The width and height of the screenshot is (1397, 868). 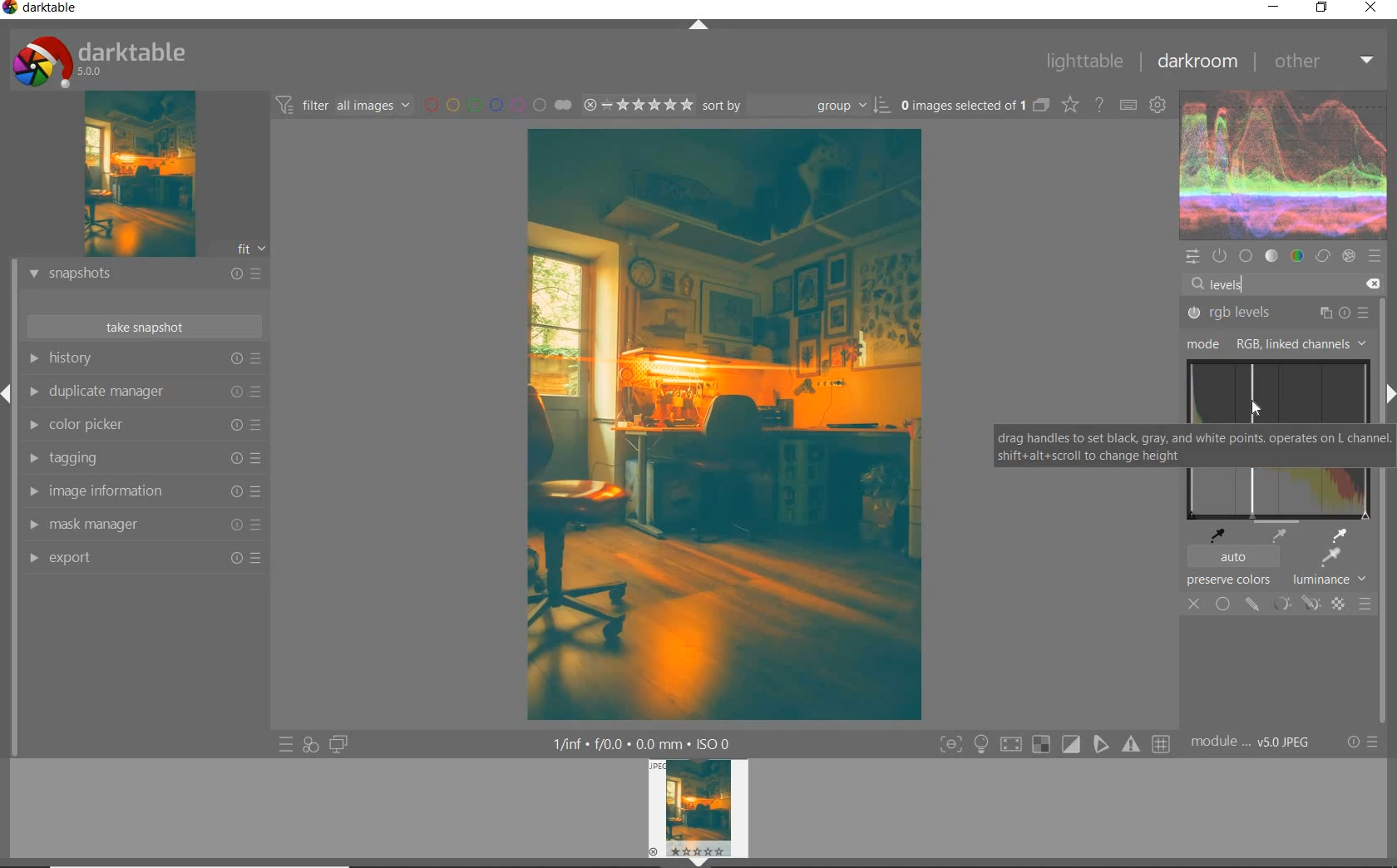 I want to click on snapshots, so click(x=144, y=276).